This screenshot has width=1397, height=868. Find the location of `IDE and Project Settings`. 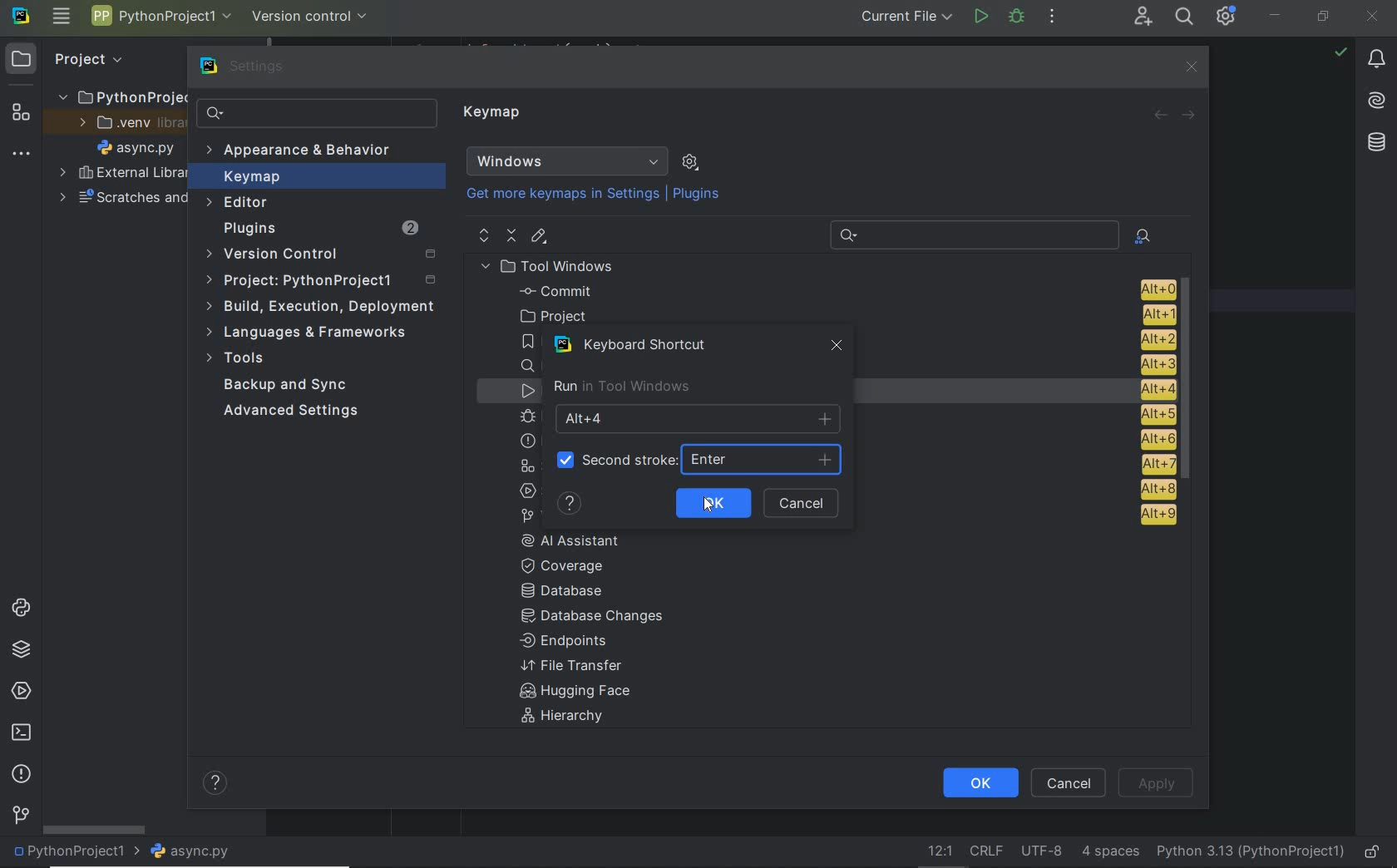

IDE and Project Settings is located at coordinates (1227, 17).